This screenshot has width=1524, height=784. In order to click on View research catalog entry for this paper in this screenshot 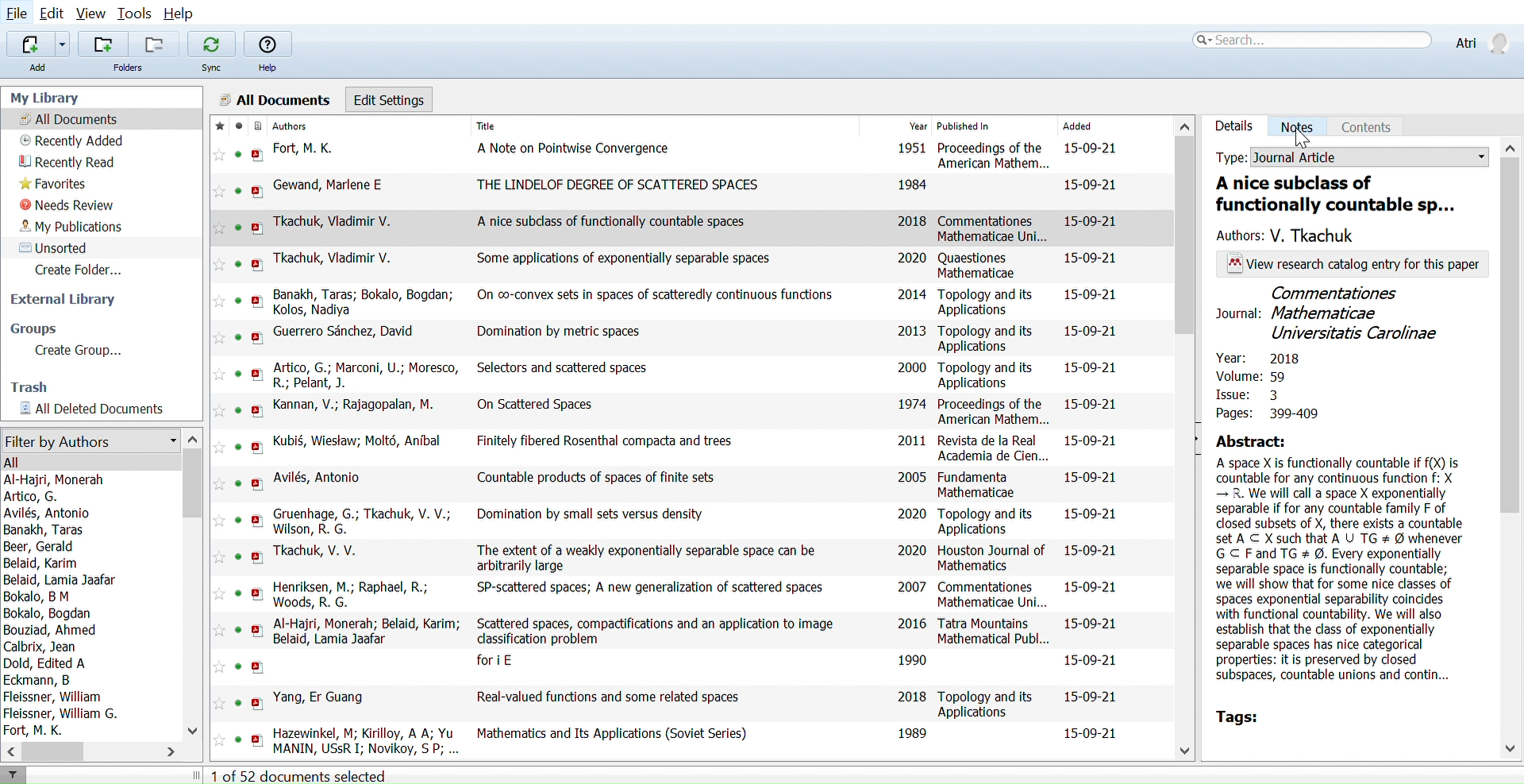, I will do `click(1353, 263)`.